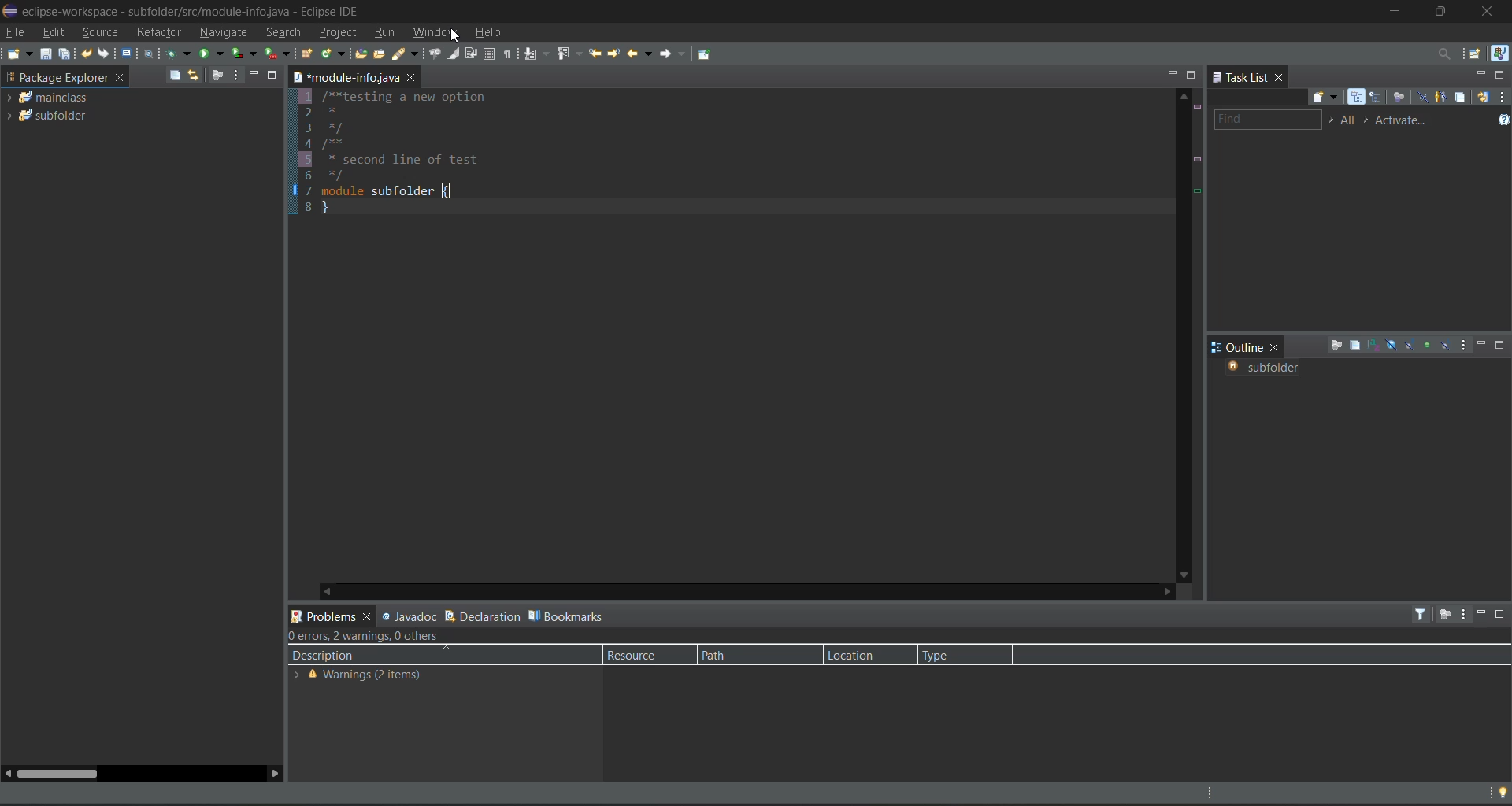 The image size is (1512, 806). I want to click on next edit location, so click(617, 55).